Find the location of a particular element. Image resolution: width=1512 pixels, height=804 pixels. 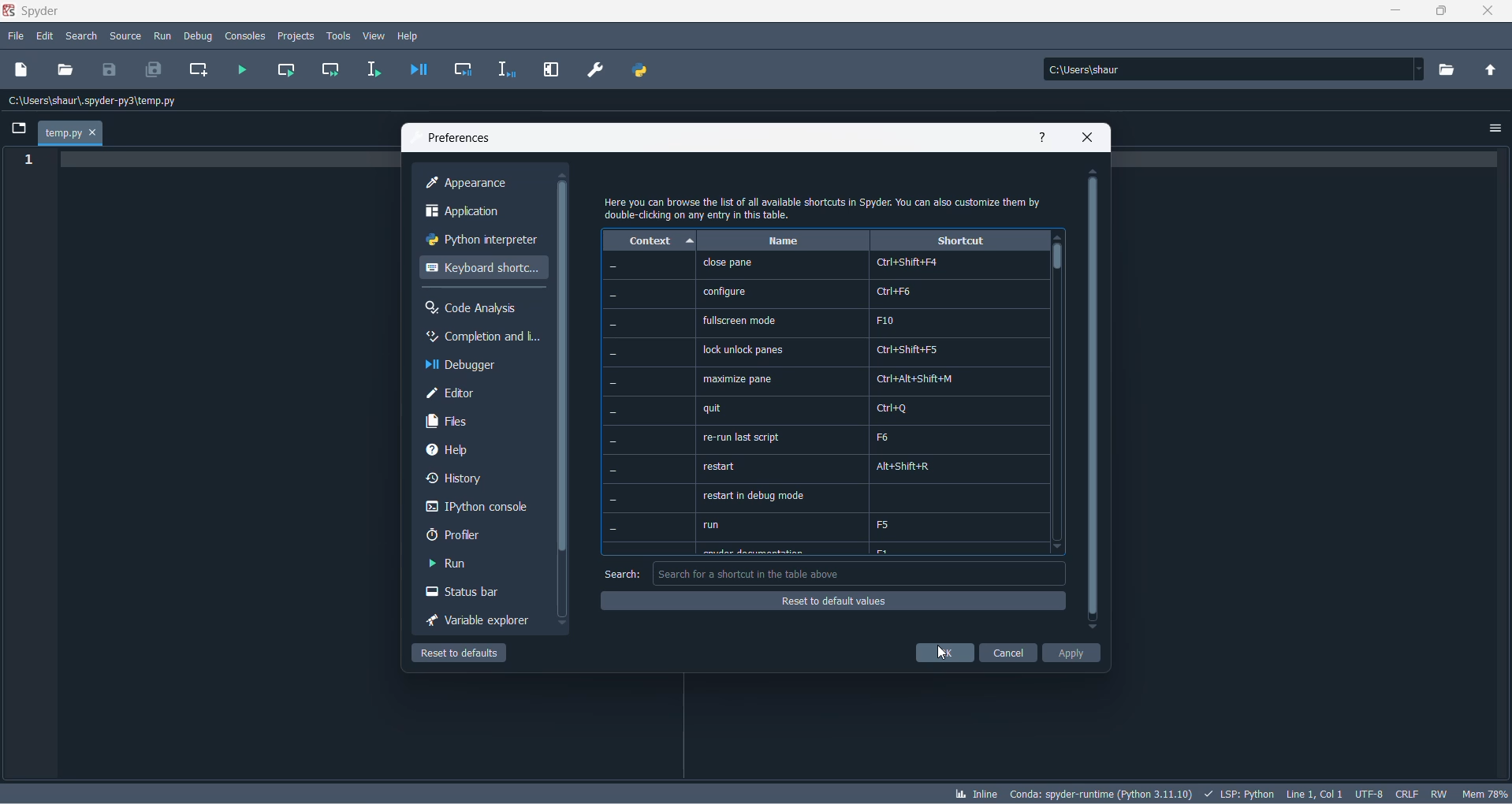

move up is located at coordinates (564, 175).